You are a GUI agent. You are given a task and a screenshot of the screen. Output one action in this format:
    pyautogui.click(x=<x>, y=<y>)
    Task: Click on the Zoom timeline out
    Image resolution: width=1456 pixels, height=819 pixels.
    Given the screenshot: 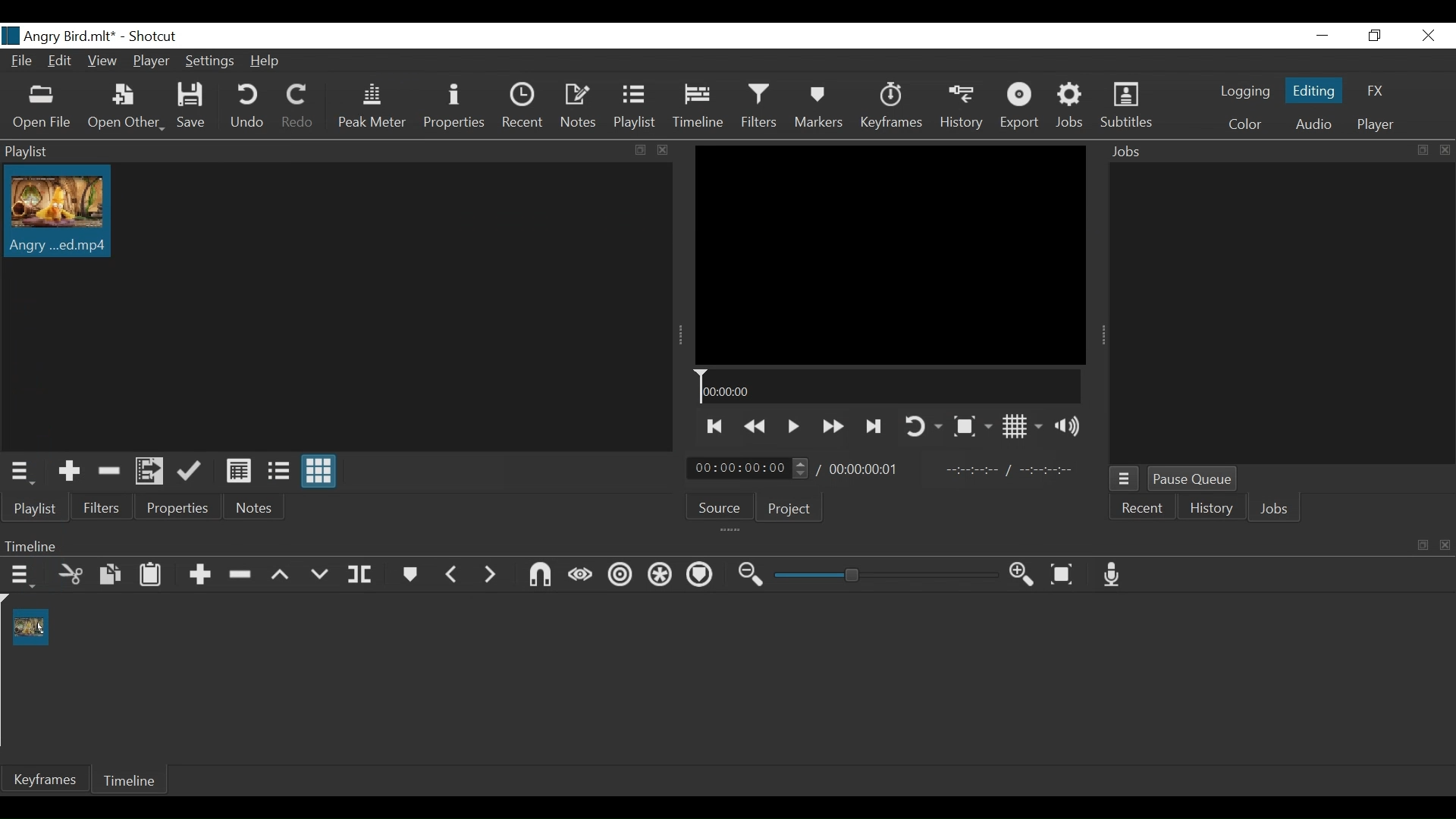 What is the action you would take?
    pyautogui.click(x=753, y=575)
    